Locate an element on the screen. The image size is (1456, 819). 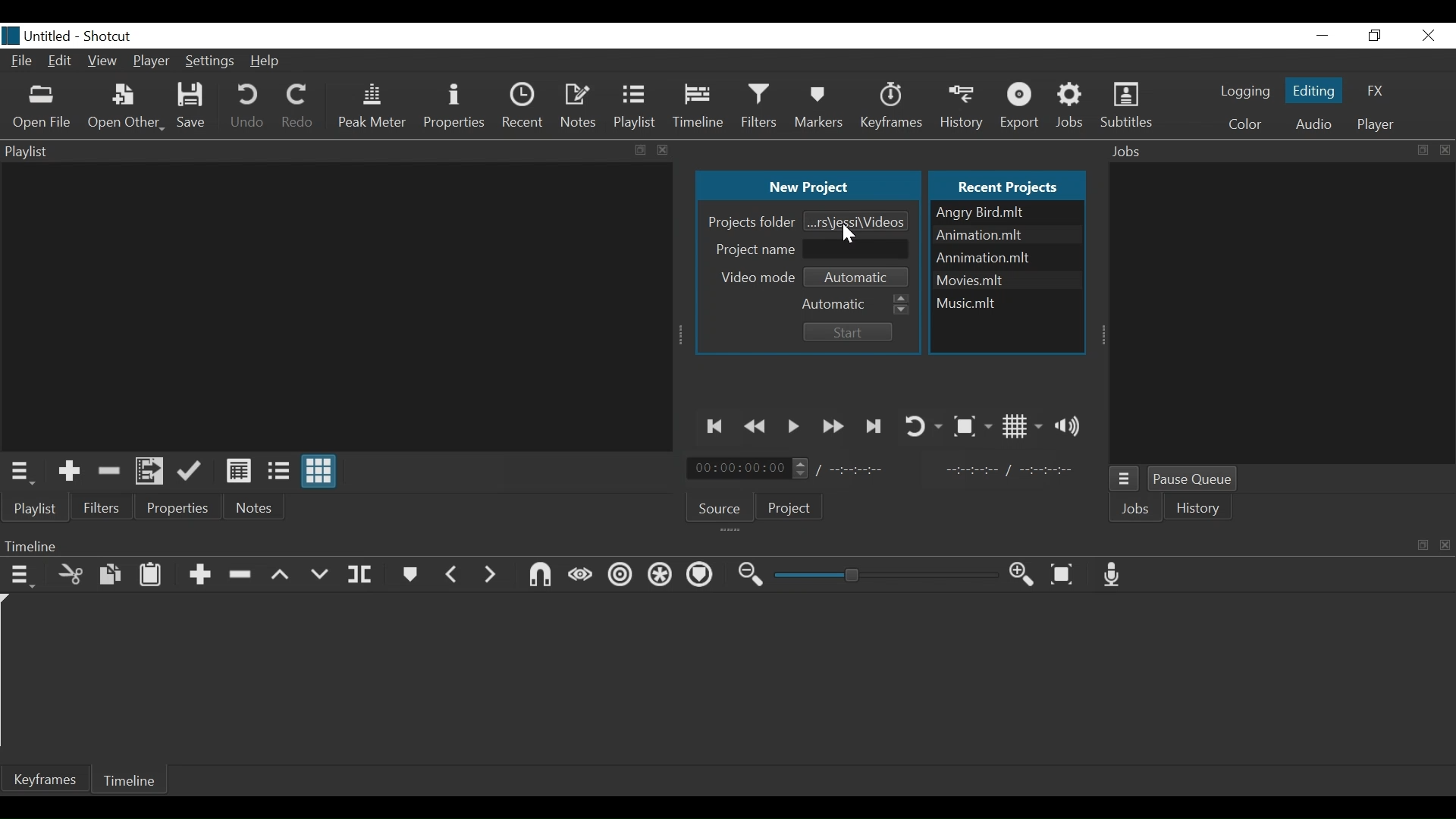
Recent Projects is located at coordinates (1012, 184).